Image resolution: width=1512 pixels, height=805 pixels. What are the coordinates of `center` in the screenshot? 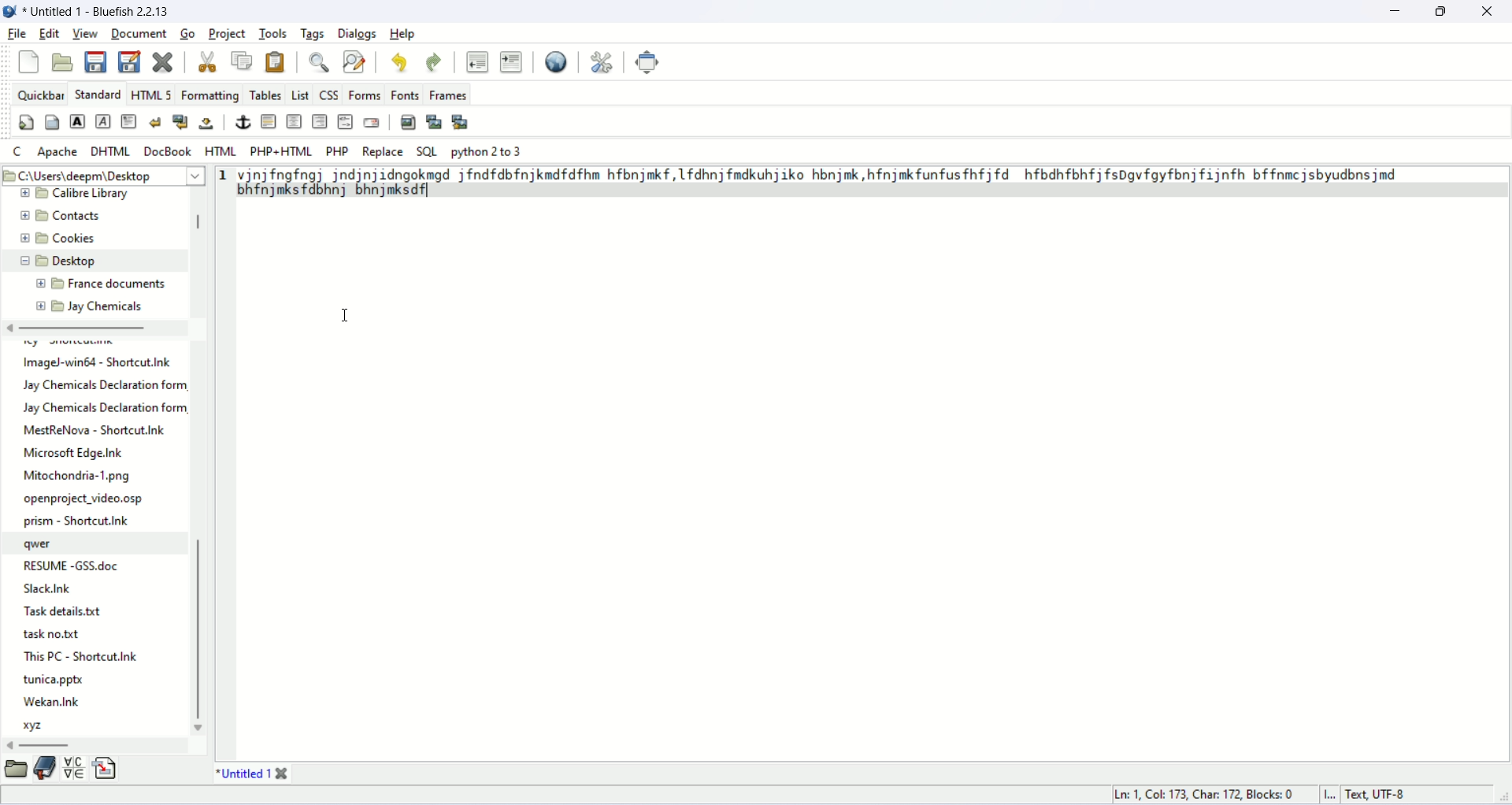 It's located at (294, 121).